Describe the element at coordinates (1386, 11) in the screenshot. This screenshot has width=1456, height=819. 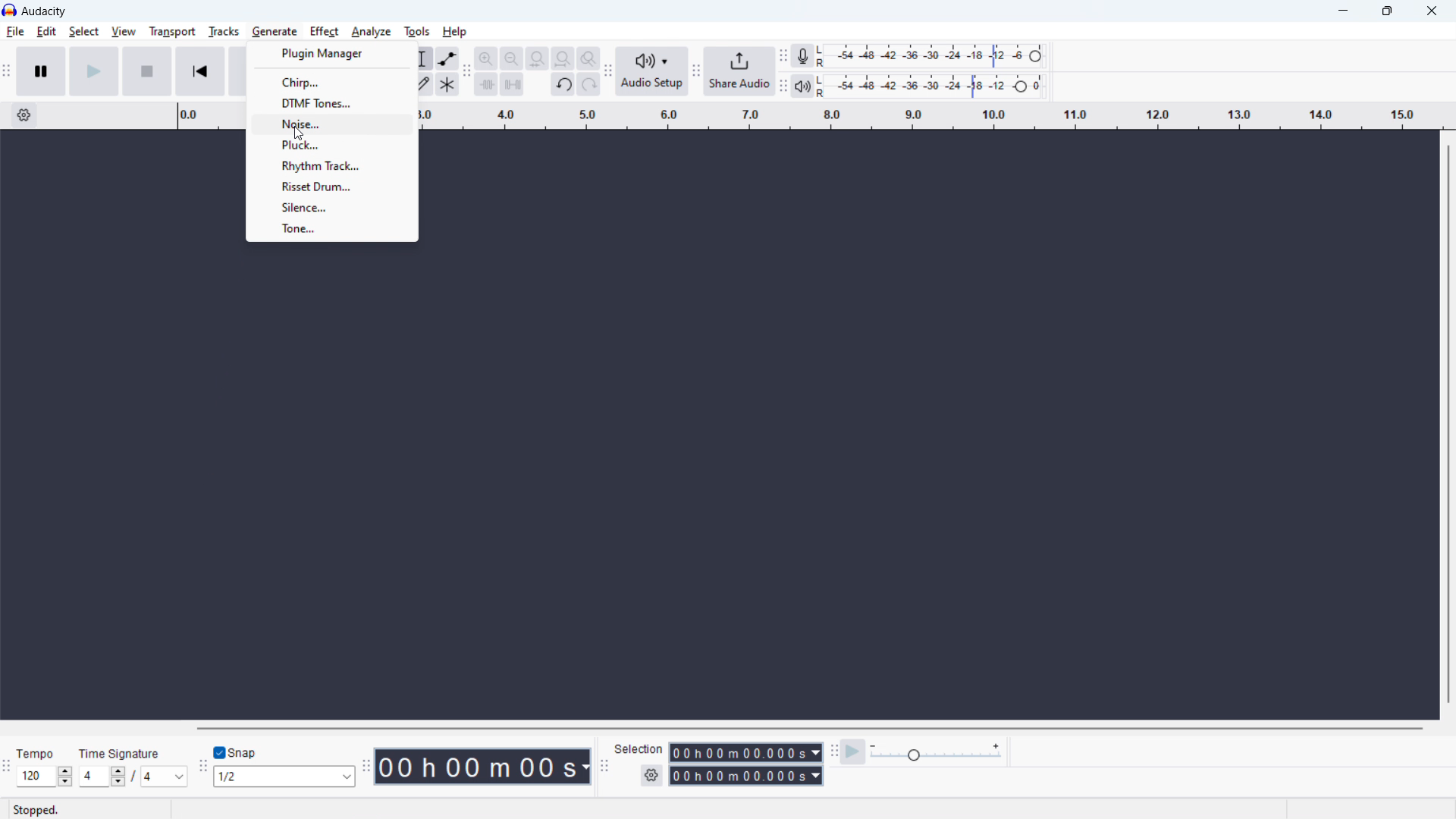
I see `maximize` at that location.